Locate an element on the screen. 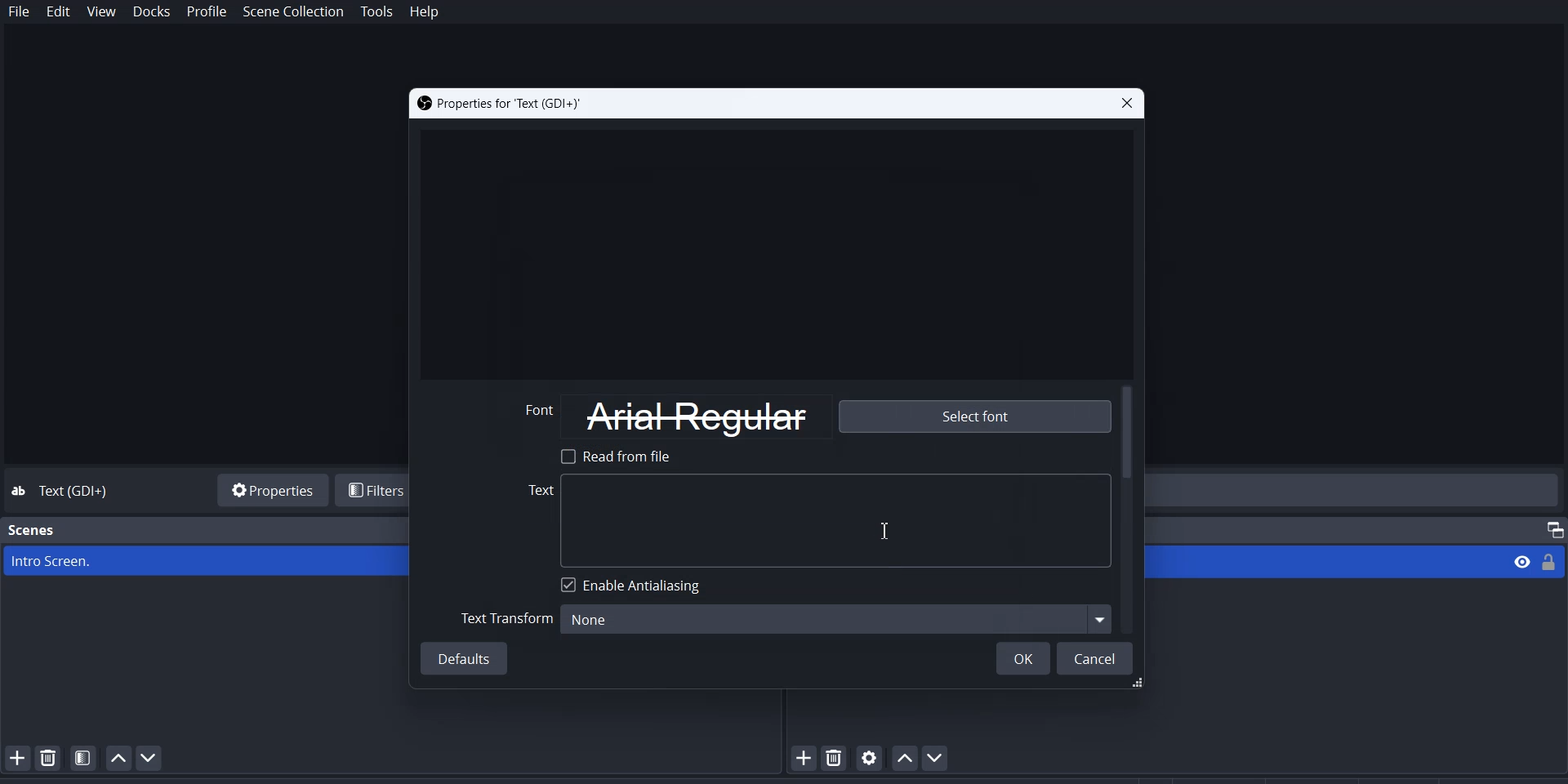 The image size is (1568, 784). Vertical Scroll bar is located at coordinates (1129, 509).